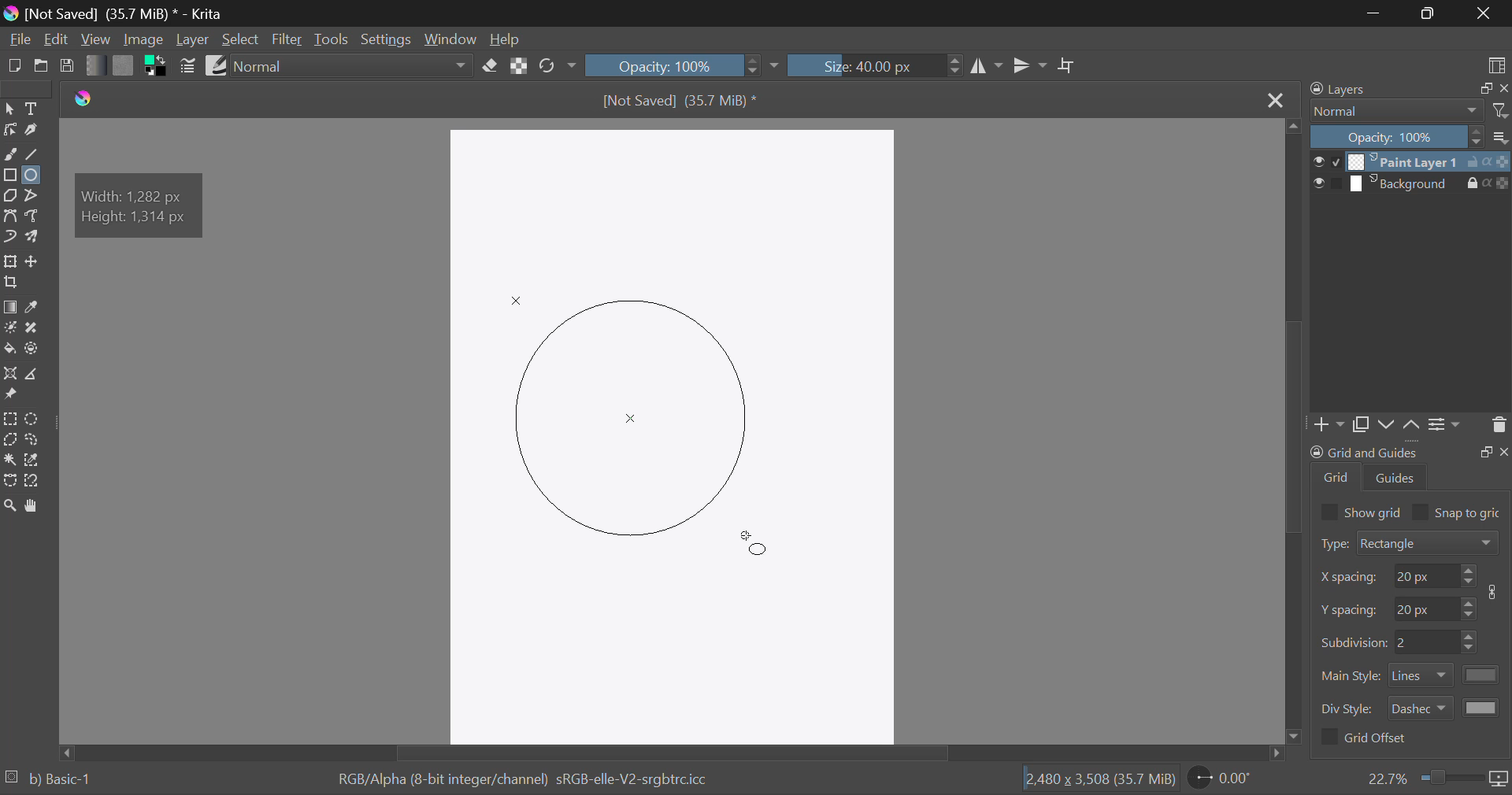 This screenshot has width=1512, height=795. Describe the element at coordinates (354, 66) in the screenshot. I see `Blending Mode` at that location.